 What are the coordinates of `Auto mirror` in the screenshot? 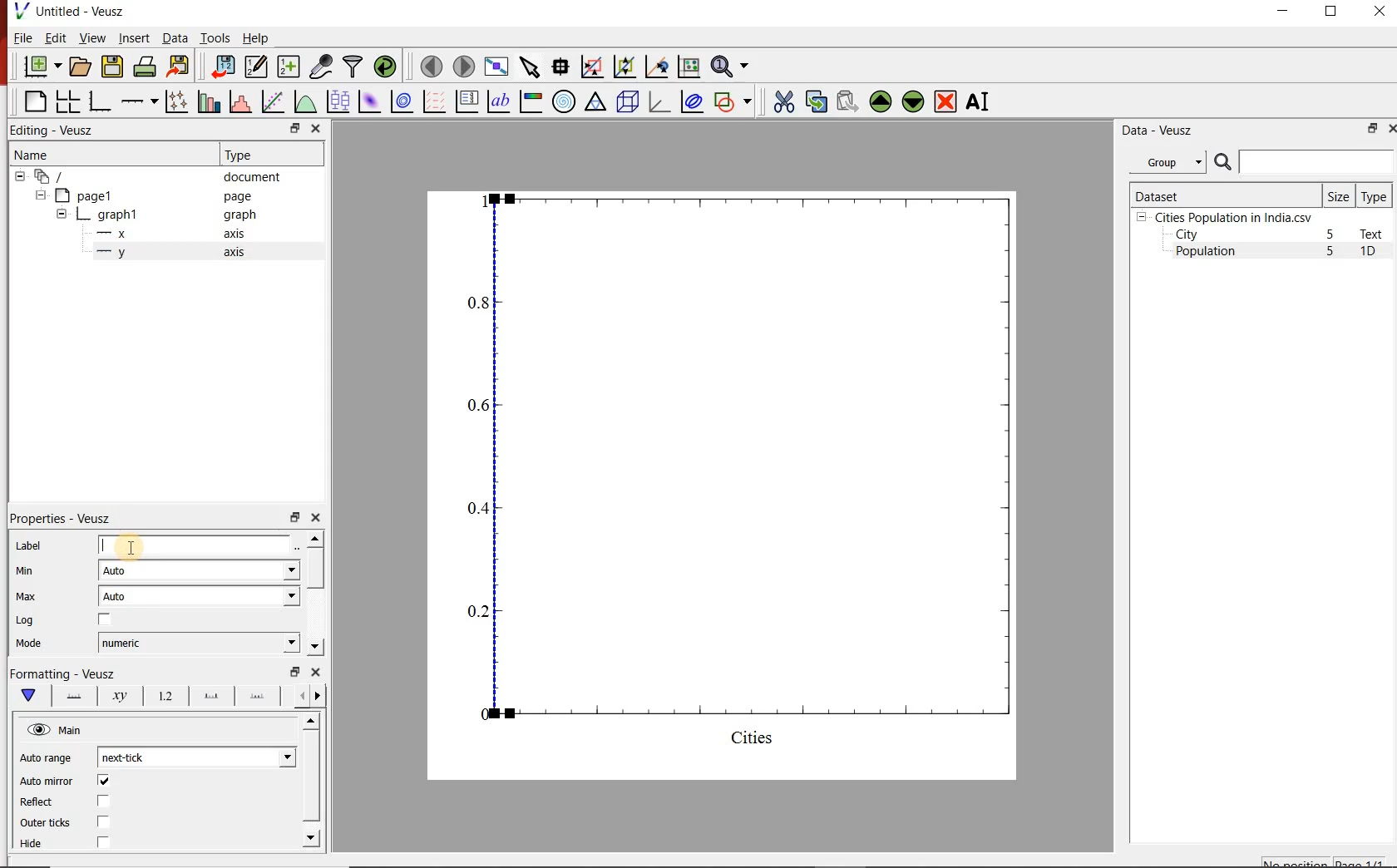 It's located at (48, 780).